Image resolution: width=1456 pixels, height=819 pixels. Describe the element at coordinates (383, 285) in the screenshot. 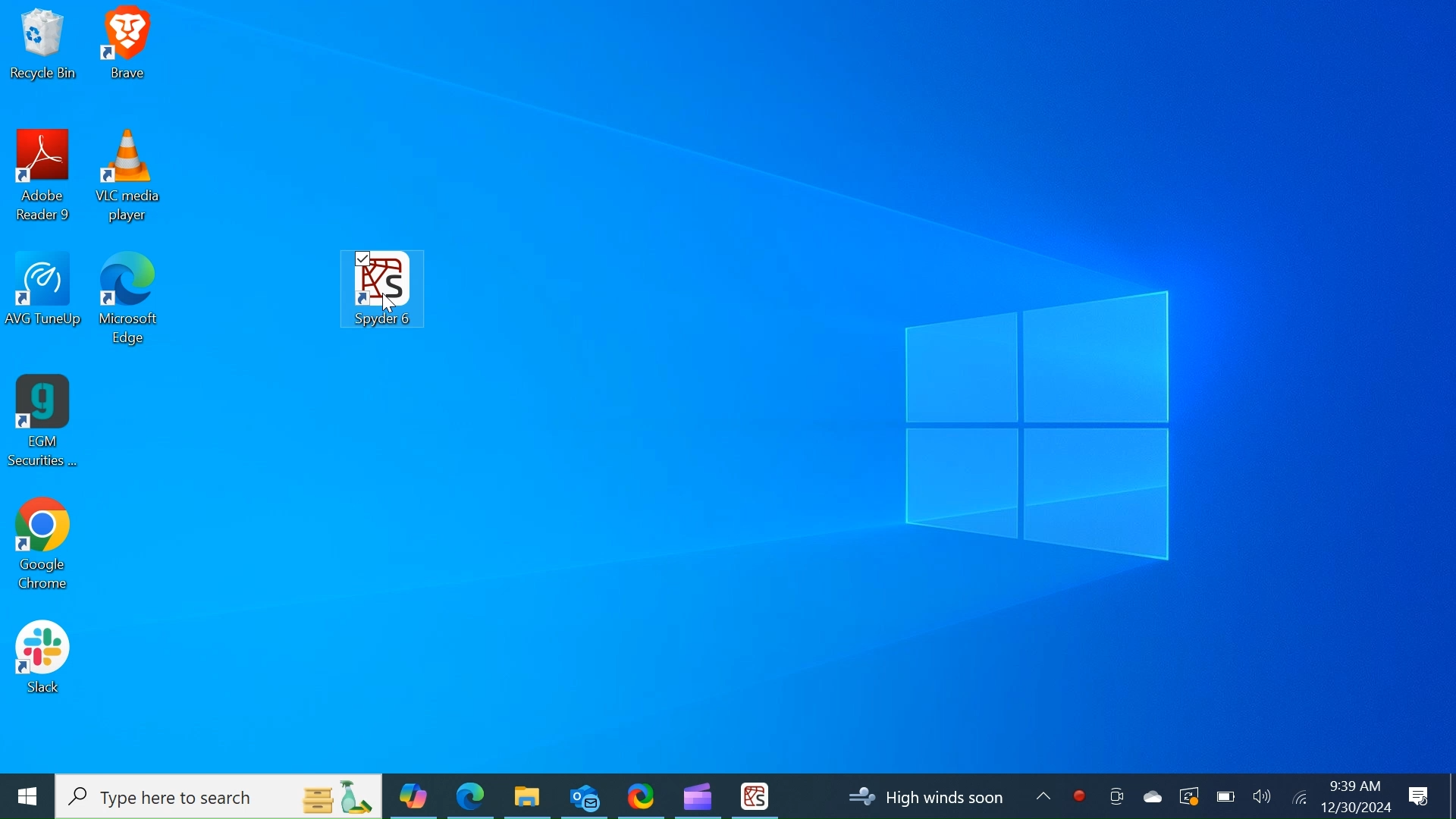

I see `Spyder Desktop Icon` at that location.